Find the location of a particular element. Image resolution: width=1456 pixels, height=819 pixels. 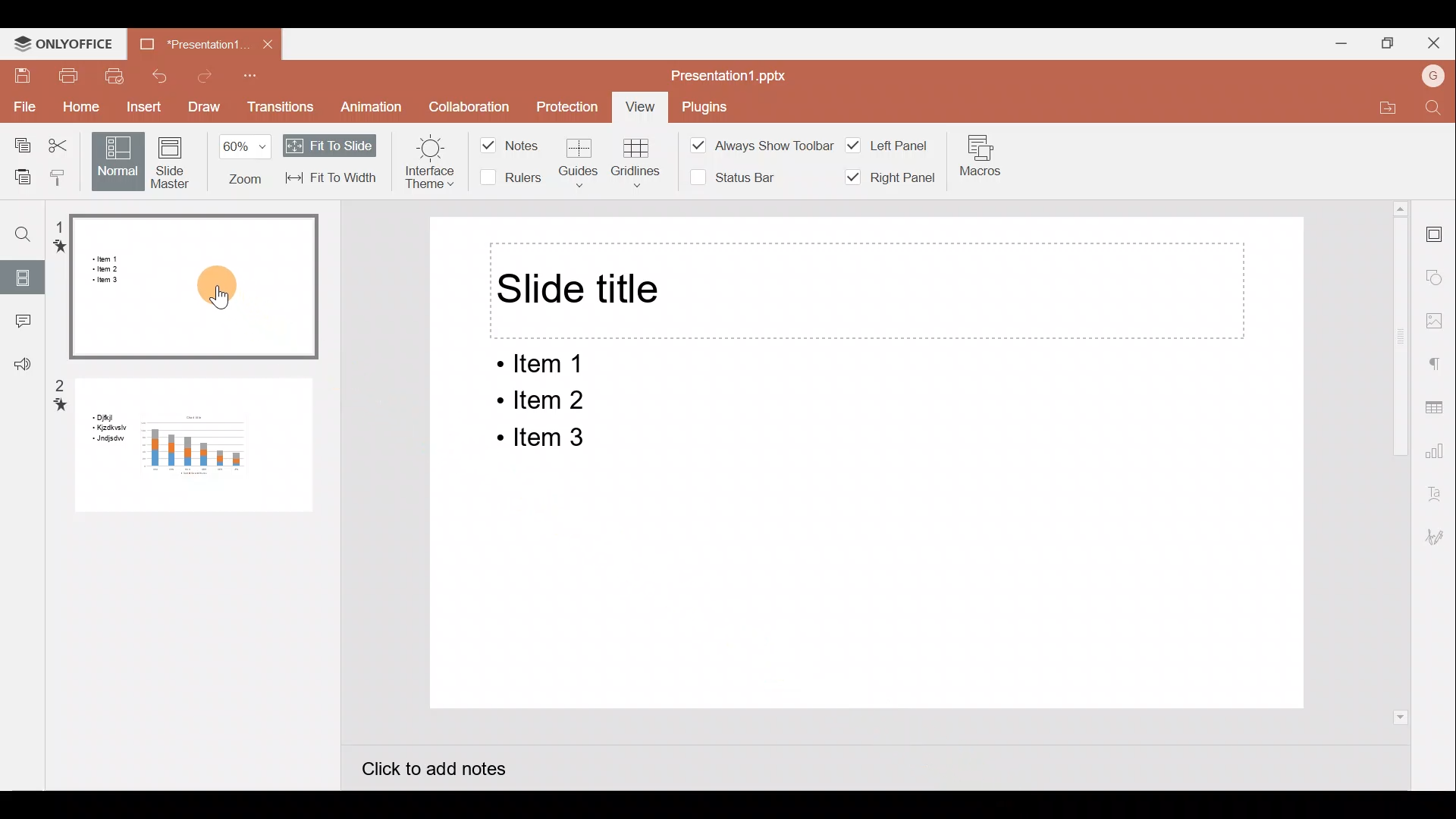

Zoom is located at coordinates (240, 160).